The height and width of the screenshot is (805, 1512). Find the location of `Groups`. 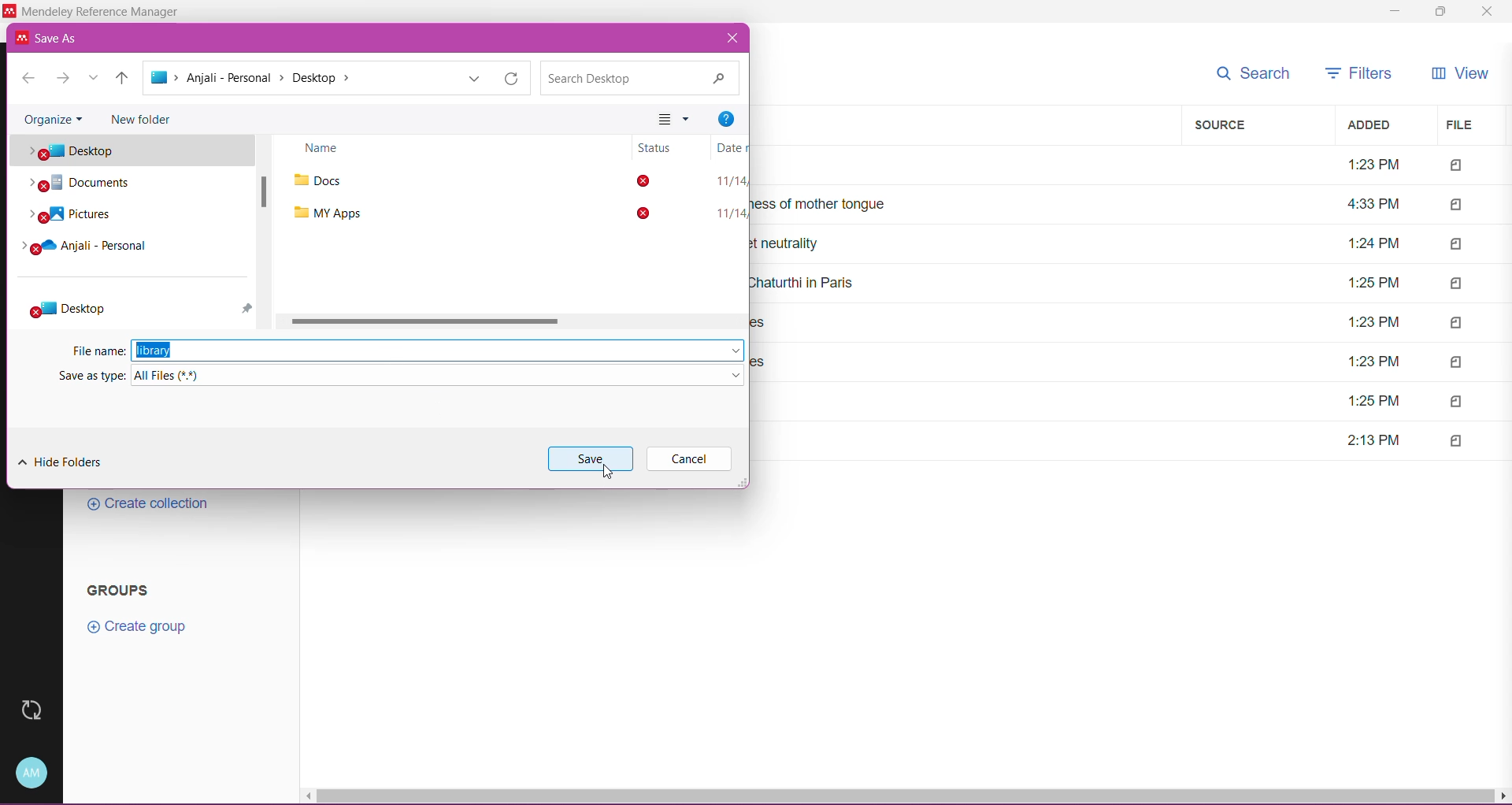

Groups is located at coordinates (116, 589).